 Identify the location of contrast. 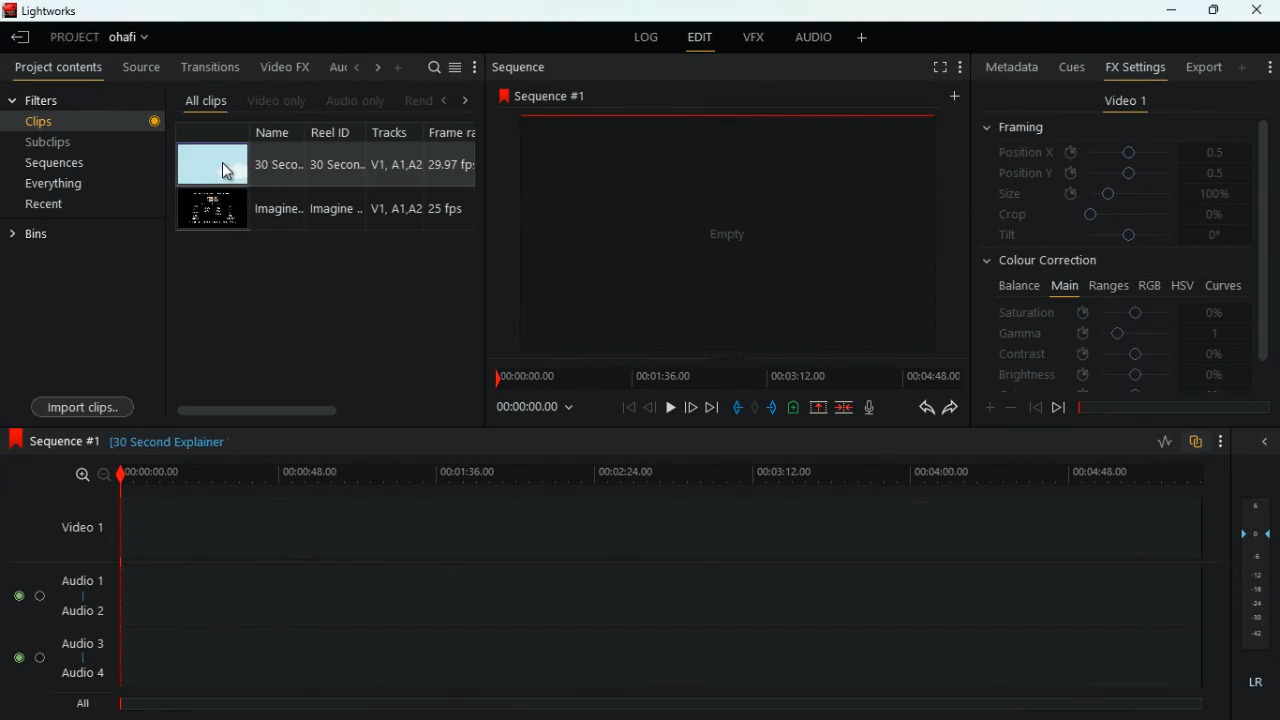
(1110, 355).